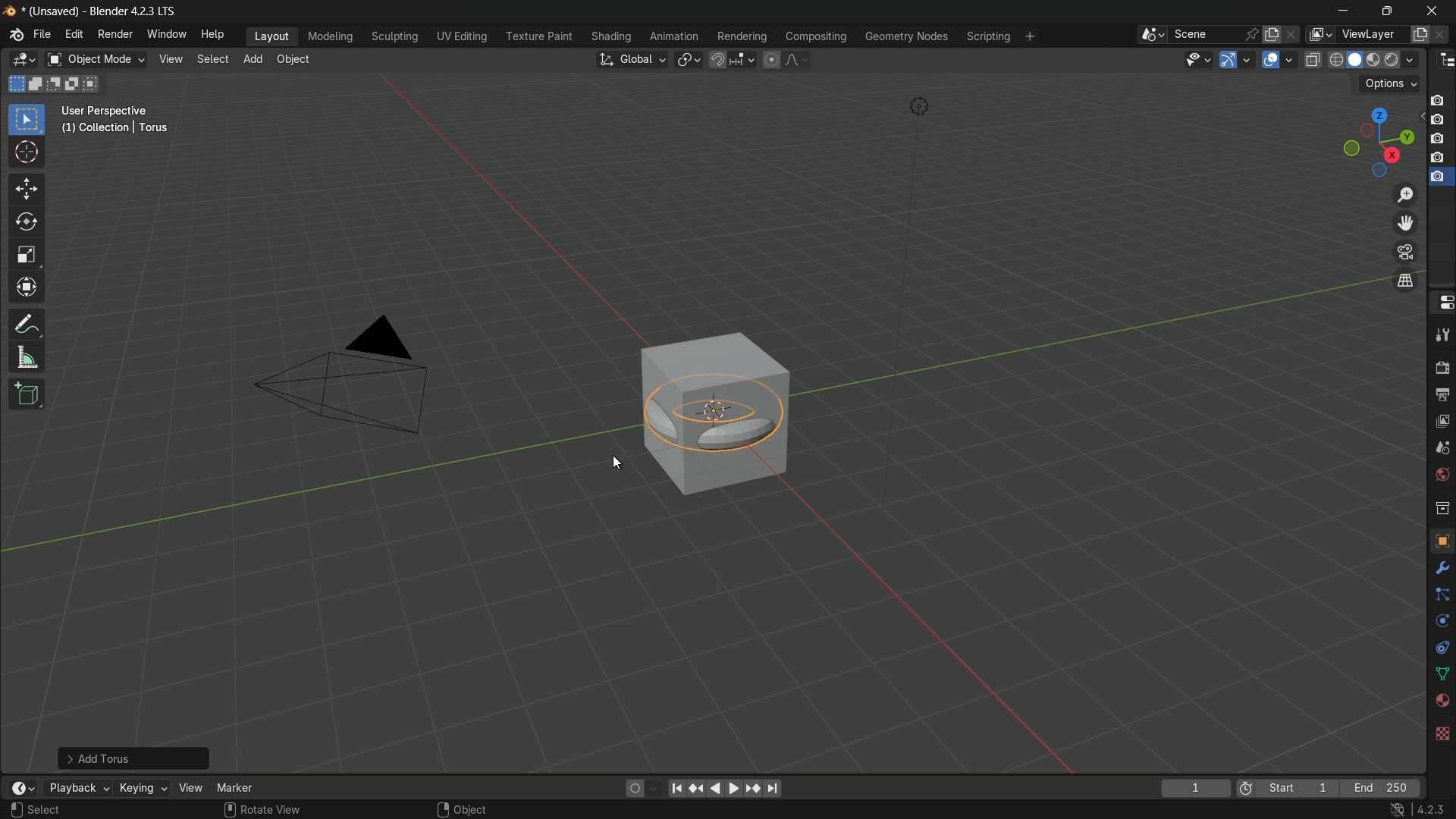  I want to click on uv editing, so click(461, 36).